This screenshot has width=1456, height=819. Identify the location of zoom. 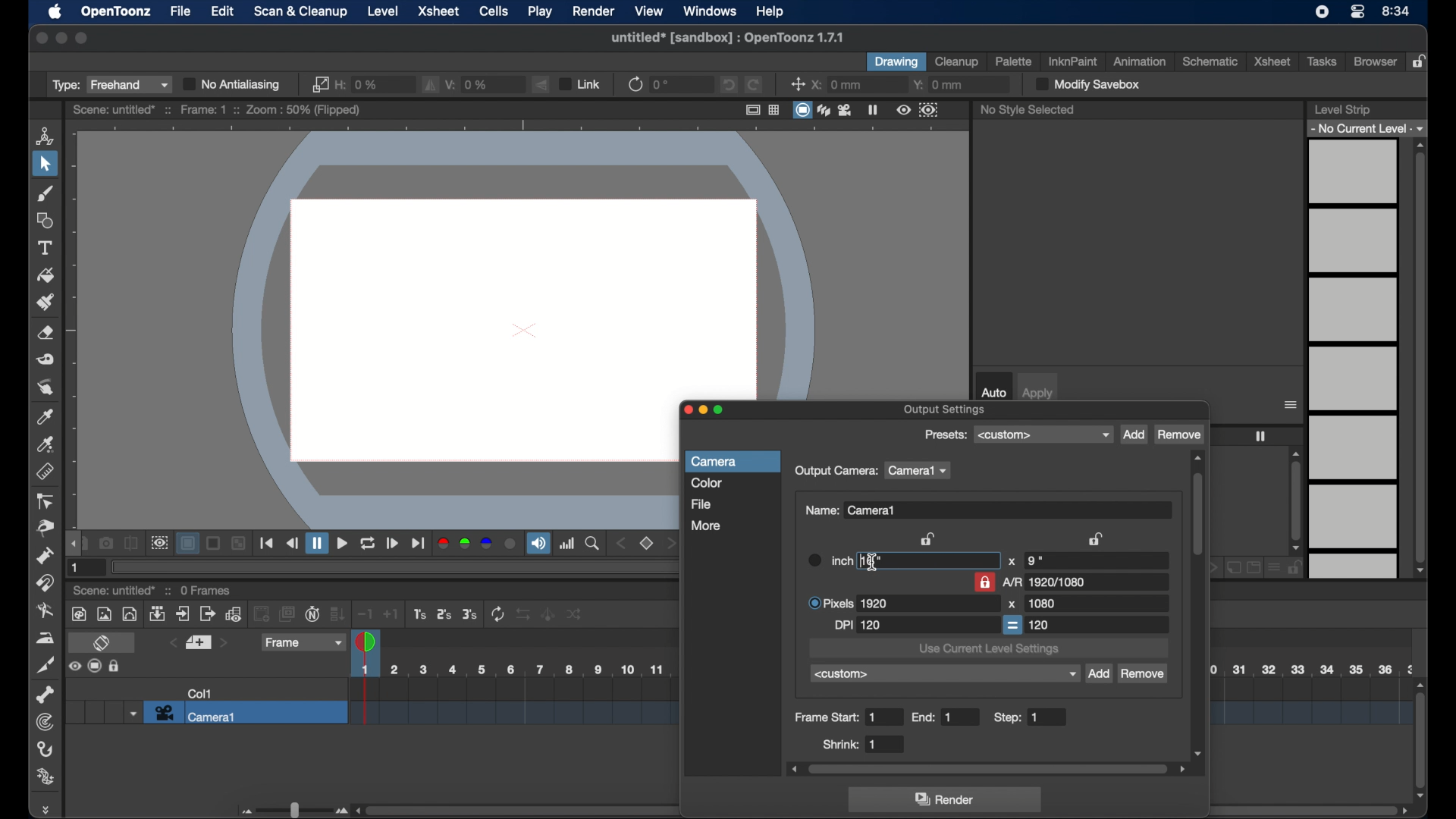
(593, 544).